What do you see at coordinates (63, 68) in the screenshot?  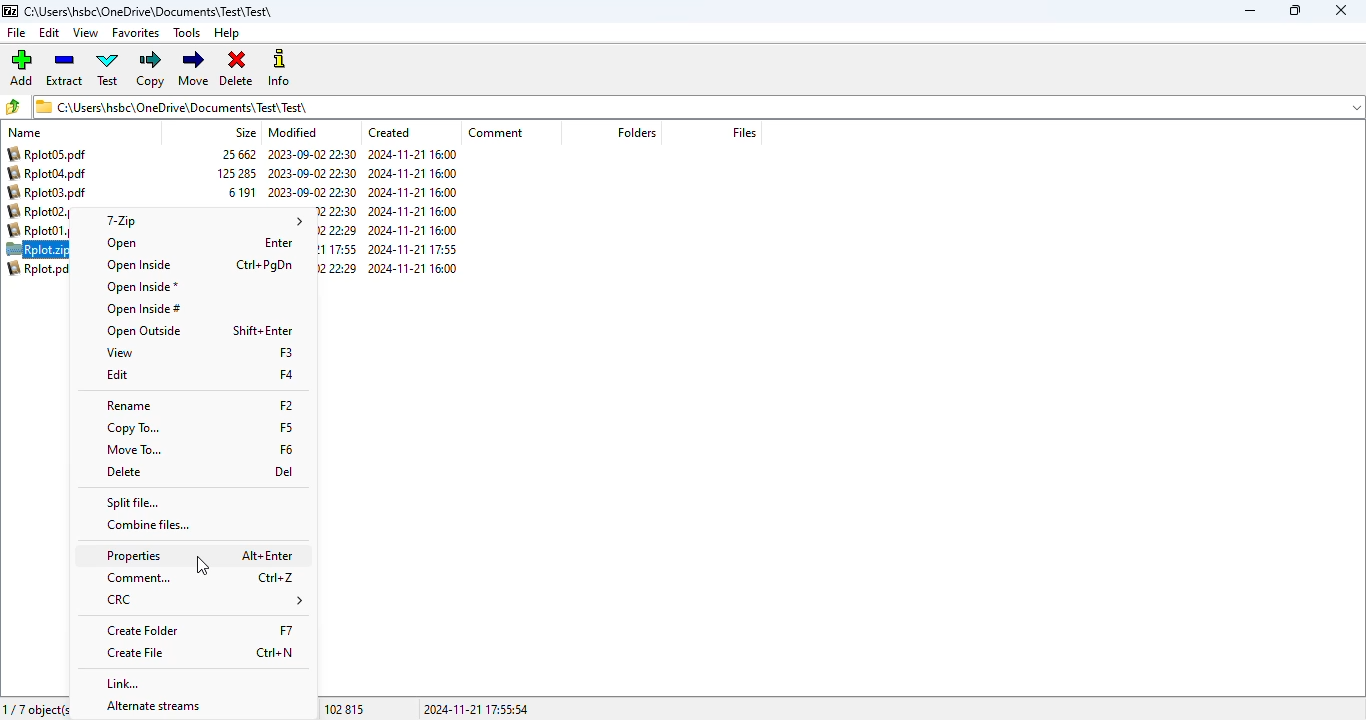 I see `extract` at bounding box center [63, 68].